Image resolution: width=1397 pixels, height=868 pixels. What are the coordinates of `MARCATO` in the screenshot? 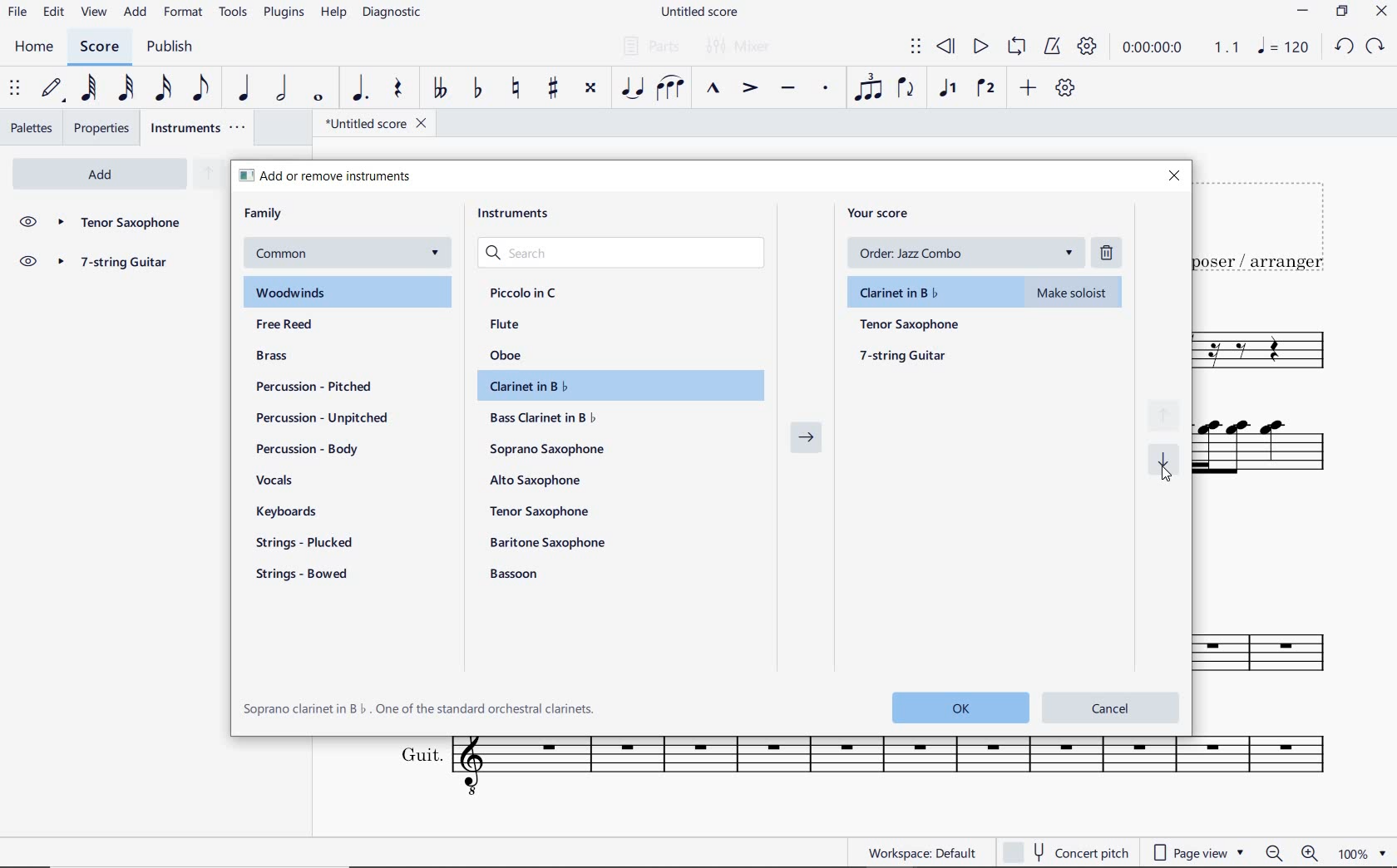 It's located at (713, 89).